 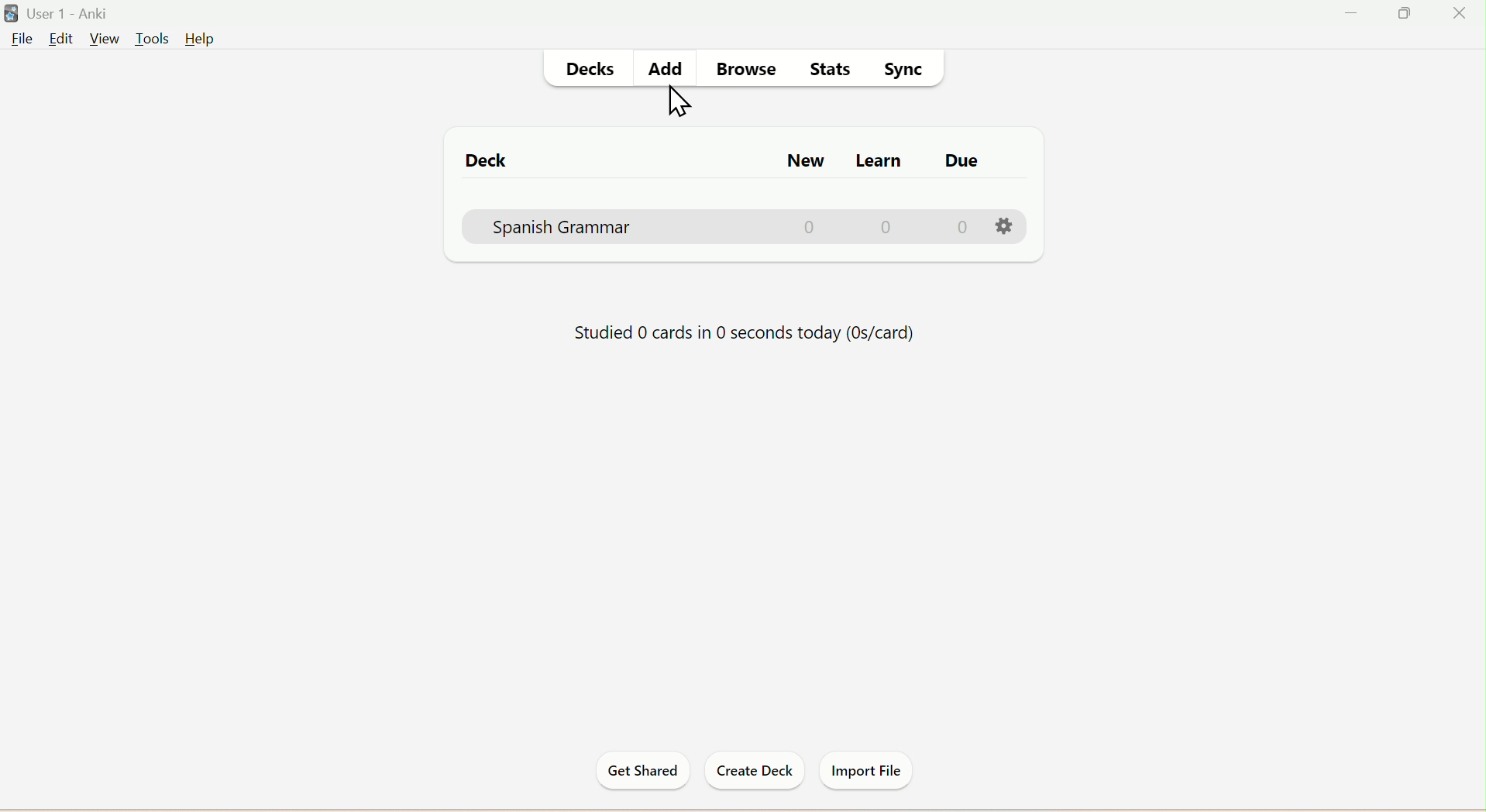 I want to click on Help, so click(x=198, y=40).